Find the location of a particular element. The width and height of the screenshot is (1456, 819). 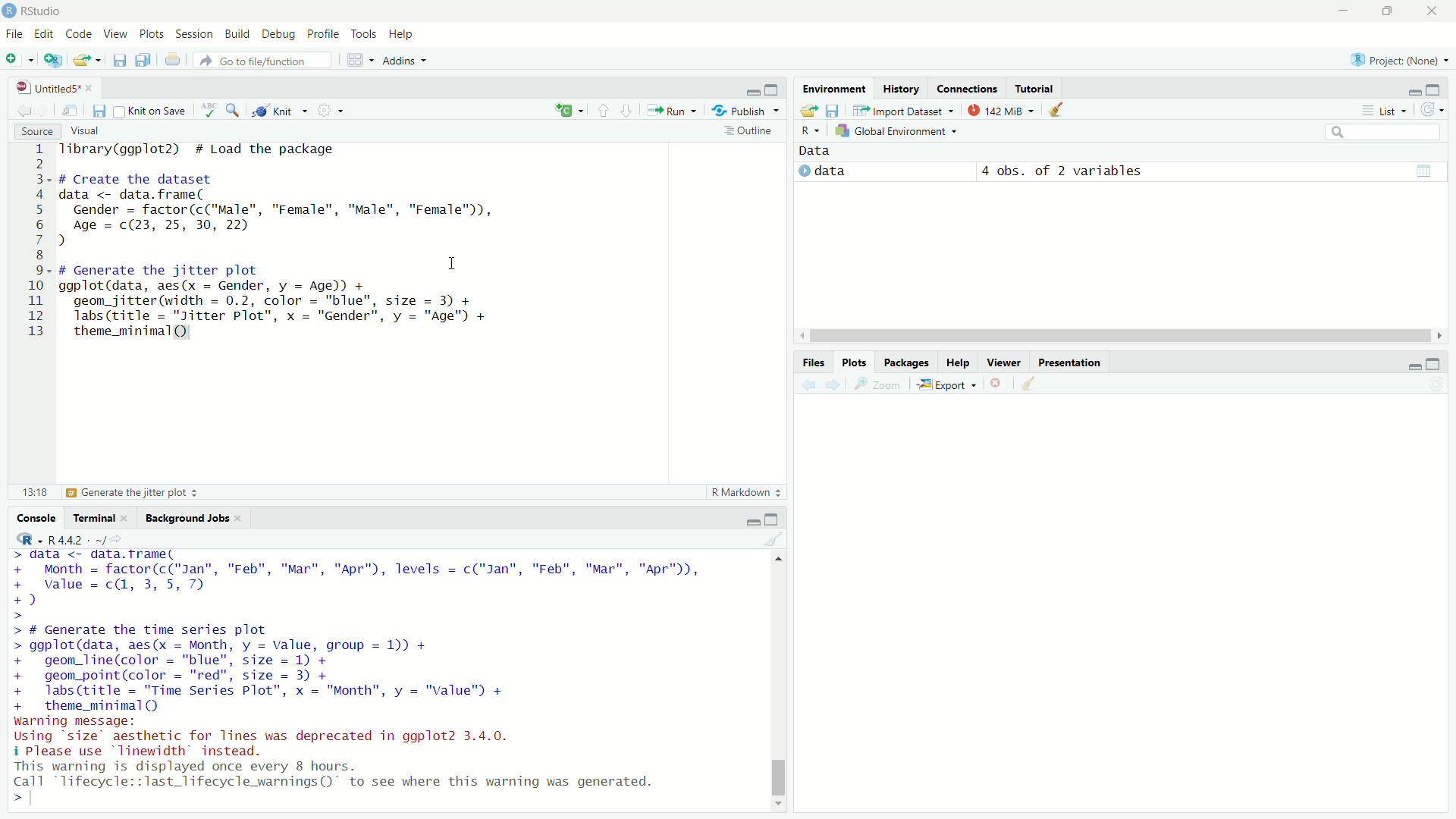

code to create the dataset is located at coordinates (294, 211).